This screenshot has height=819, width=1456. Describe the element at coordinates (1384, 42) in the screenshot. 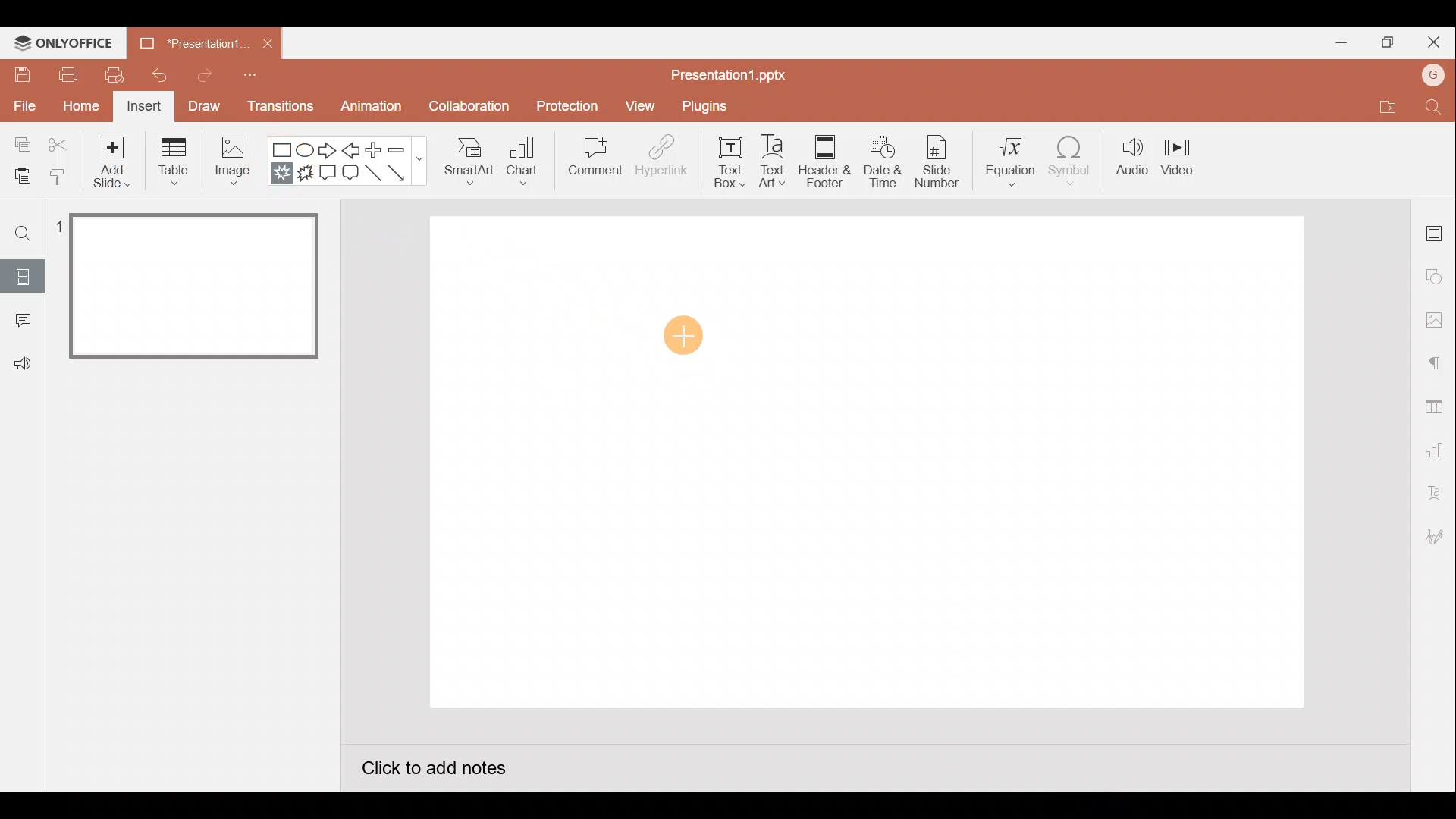

I see `Maximize` at that location.